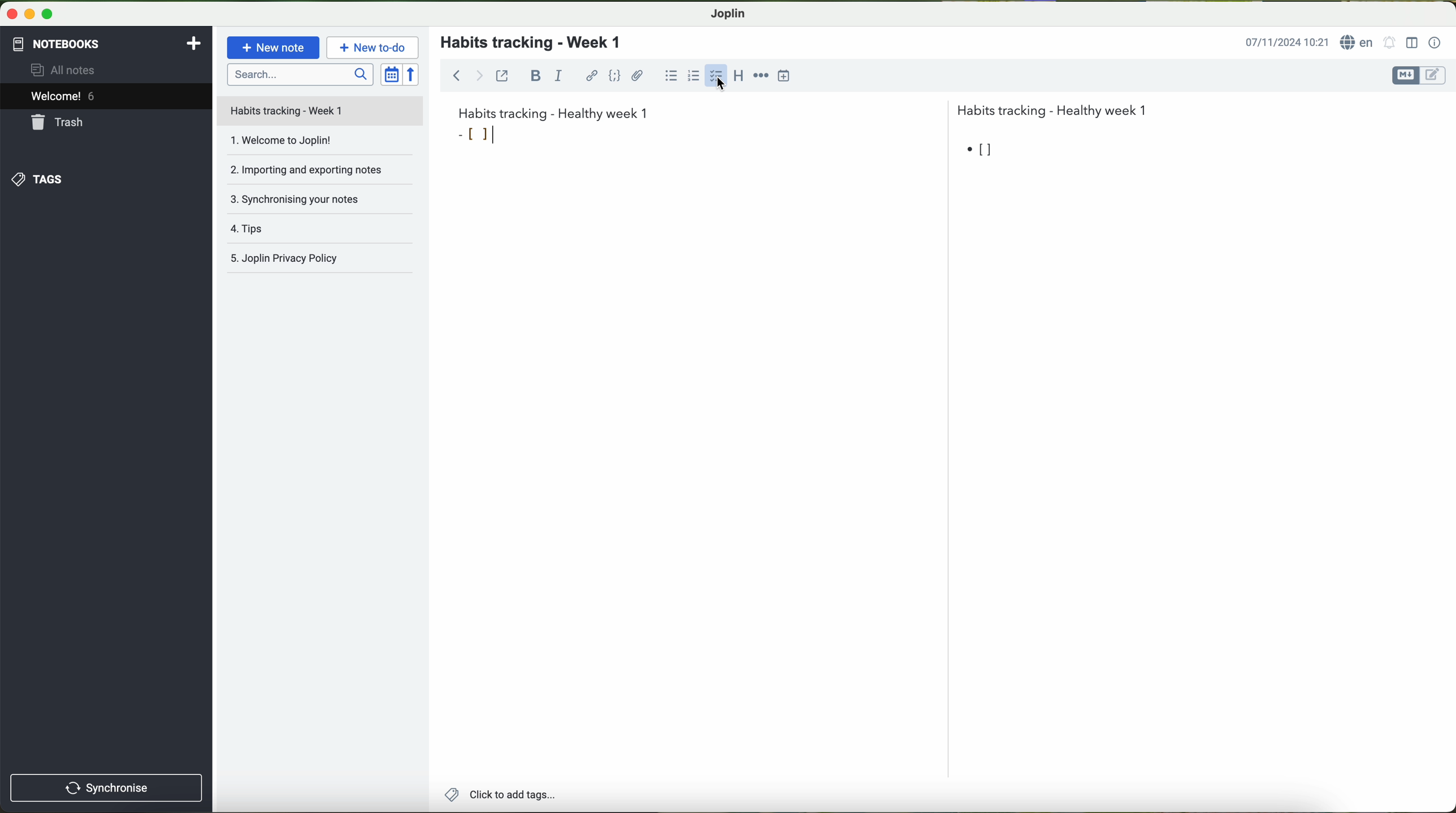 The image size is (1456, 813). I want to click on Habits tracking - Healthy week 1, so click(1057, 108).